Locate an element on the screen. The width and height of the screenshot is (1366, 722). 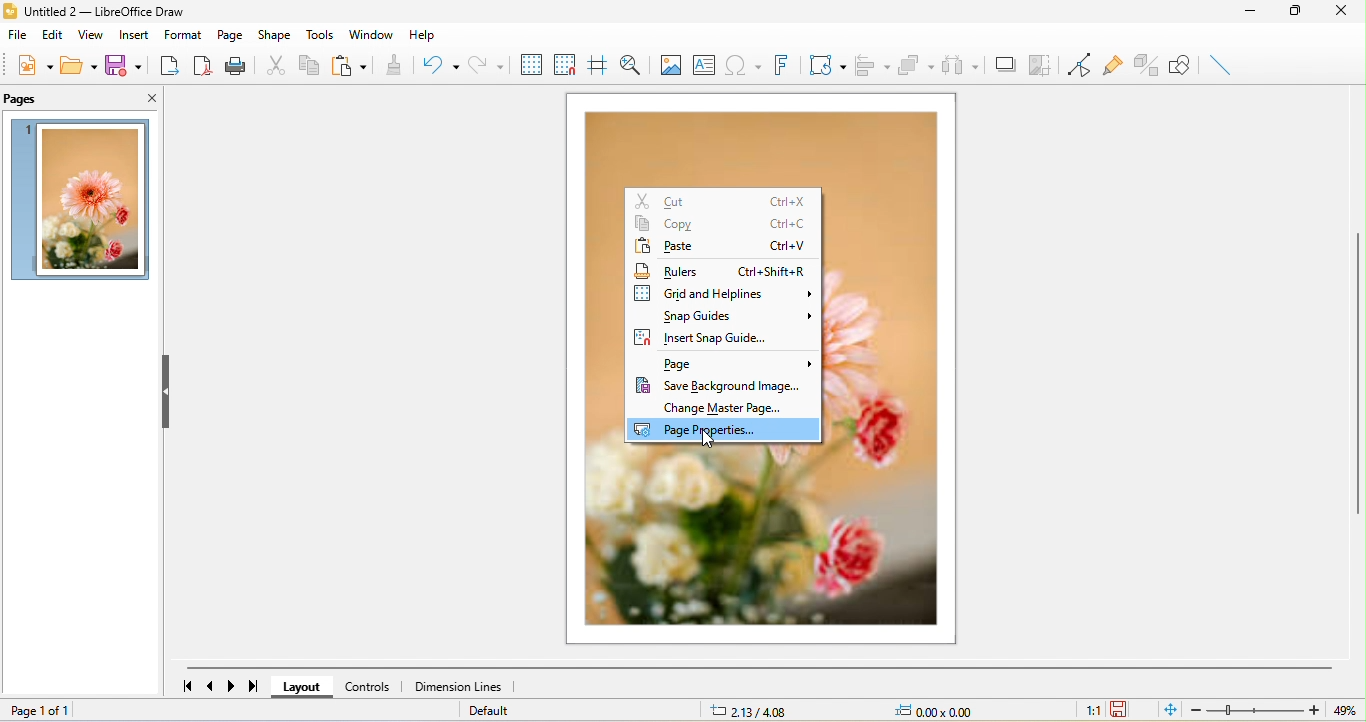
layout is located at coordinates (307, 687).